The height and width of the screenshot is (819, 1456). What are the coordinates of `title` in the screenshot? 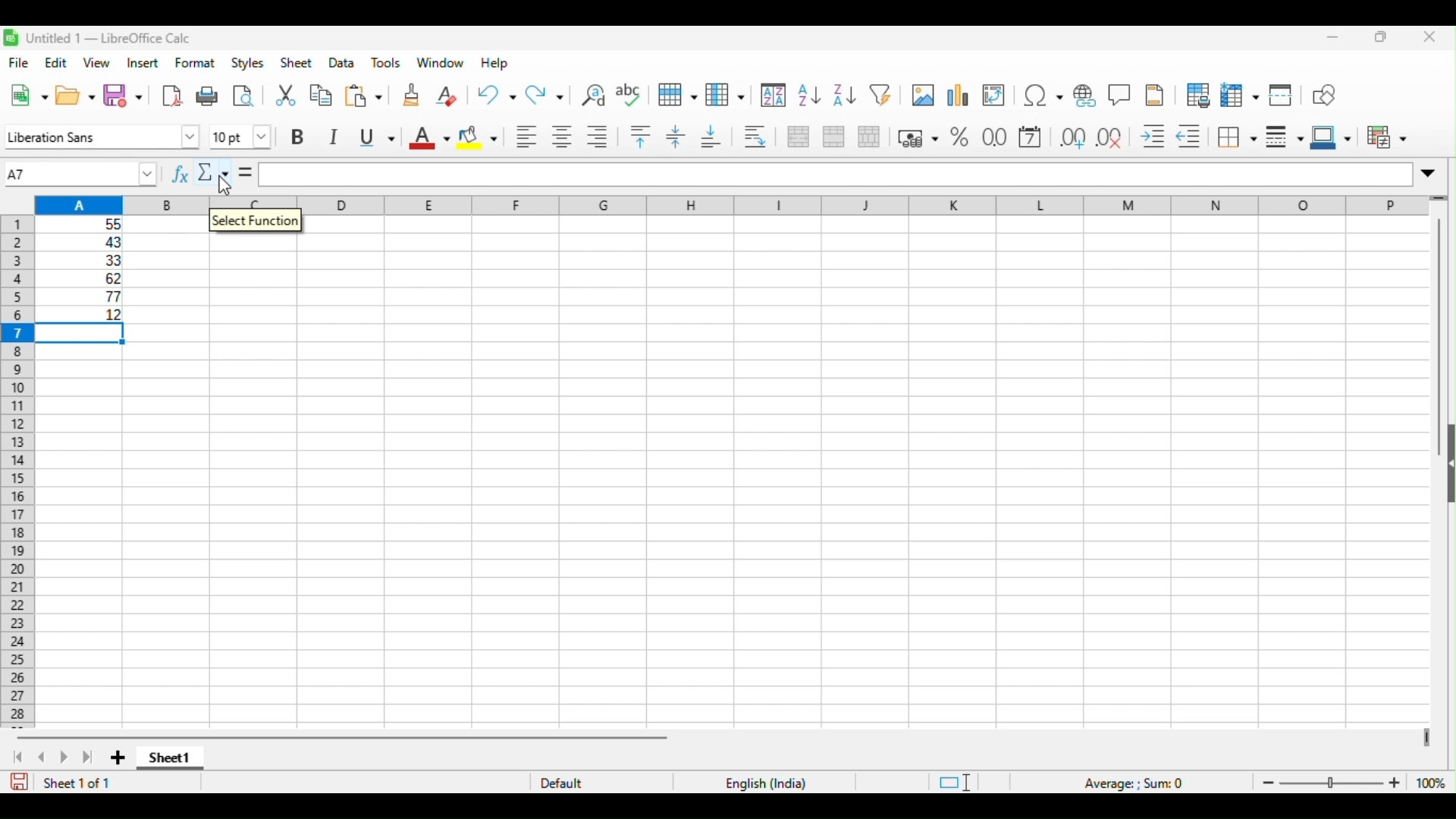 It's located at (99, 37).